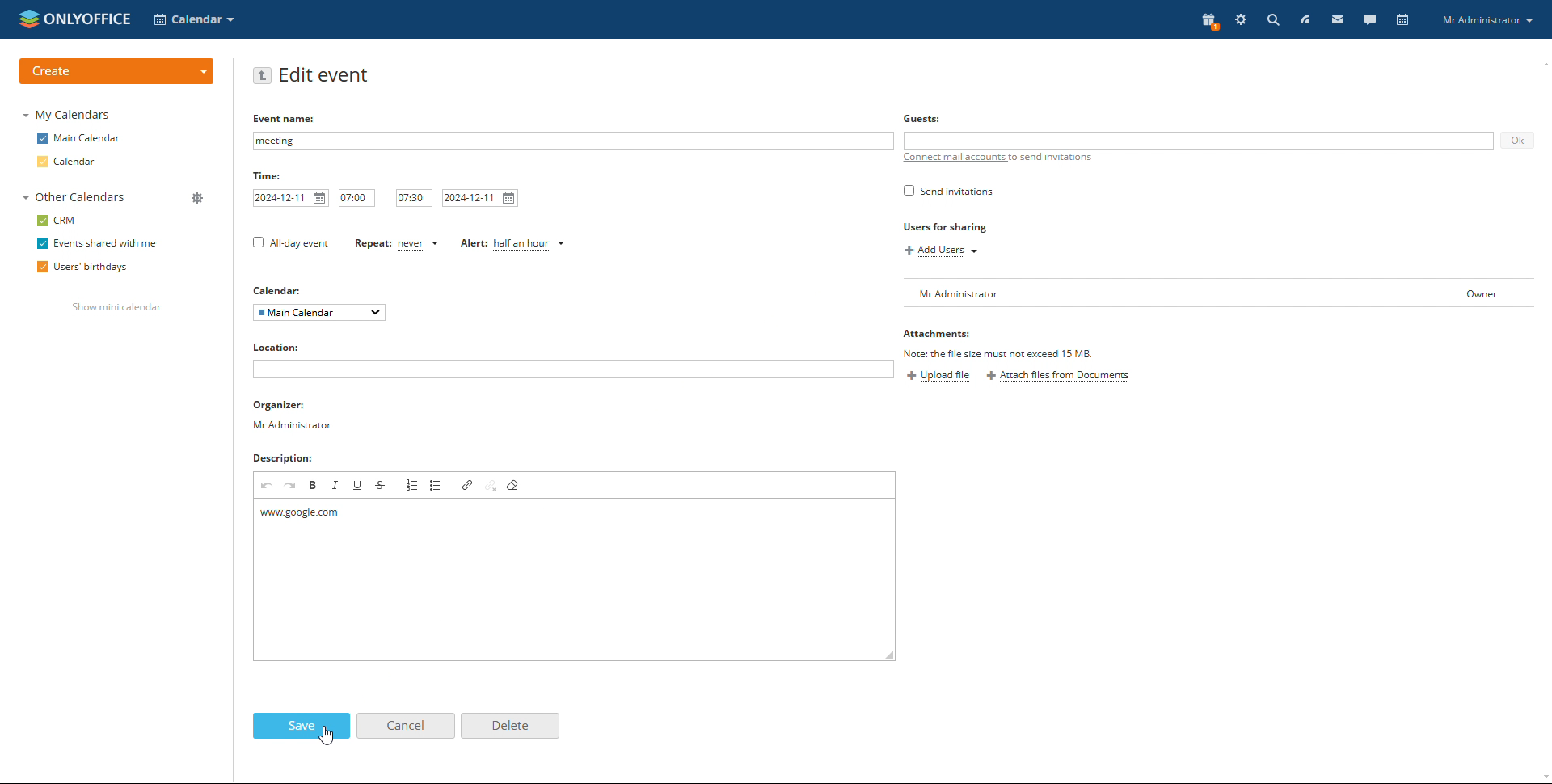 The width and height of the screenshot is (1552, 784). Describe the element at coordinates (1208, 22) in the screenshot. I see `present` at that location.